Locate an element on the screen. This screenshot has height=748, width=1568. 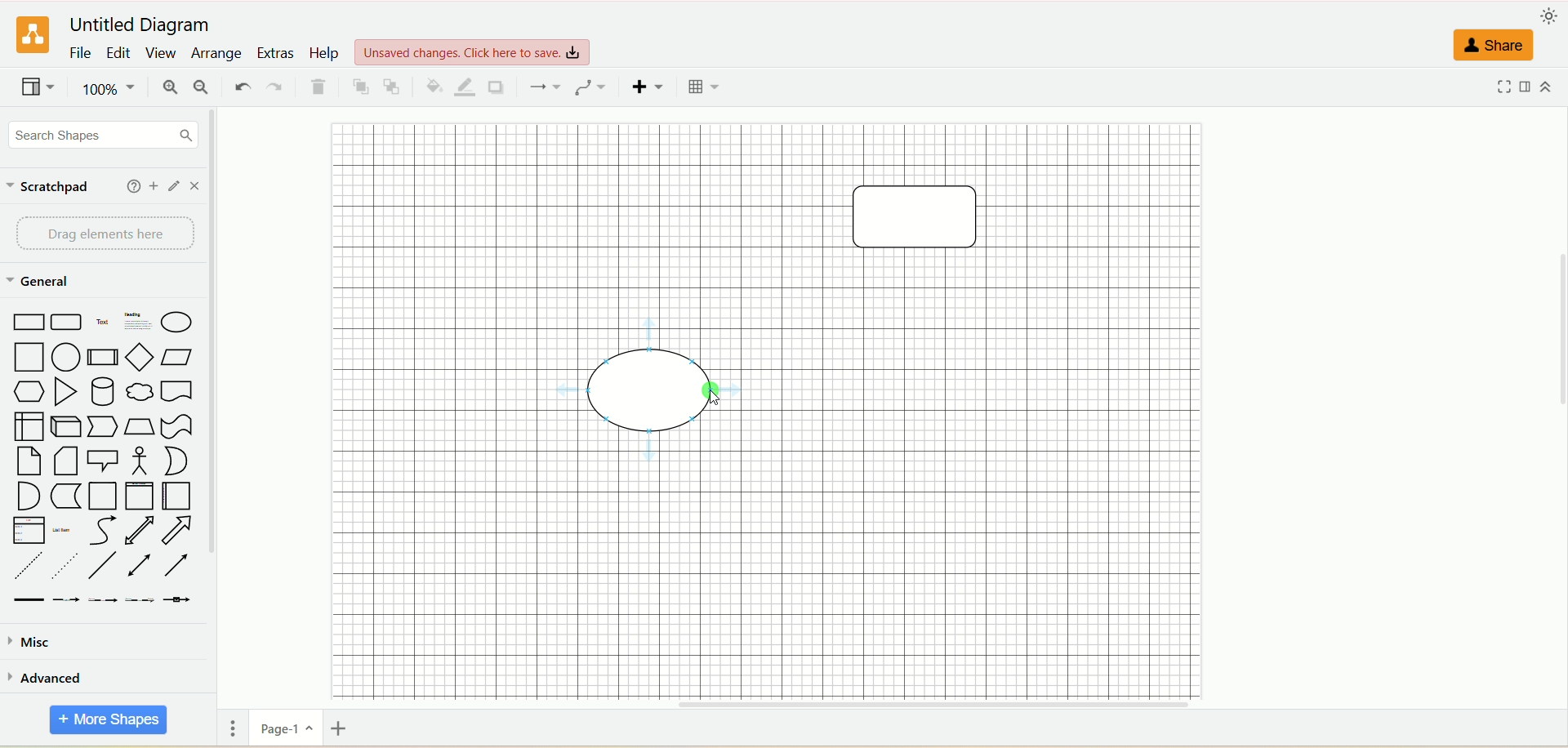
undo is located at coordinates (239, 86).